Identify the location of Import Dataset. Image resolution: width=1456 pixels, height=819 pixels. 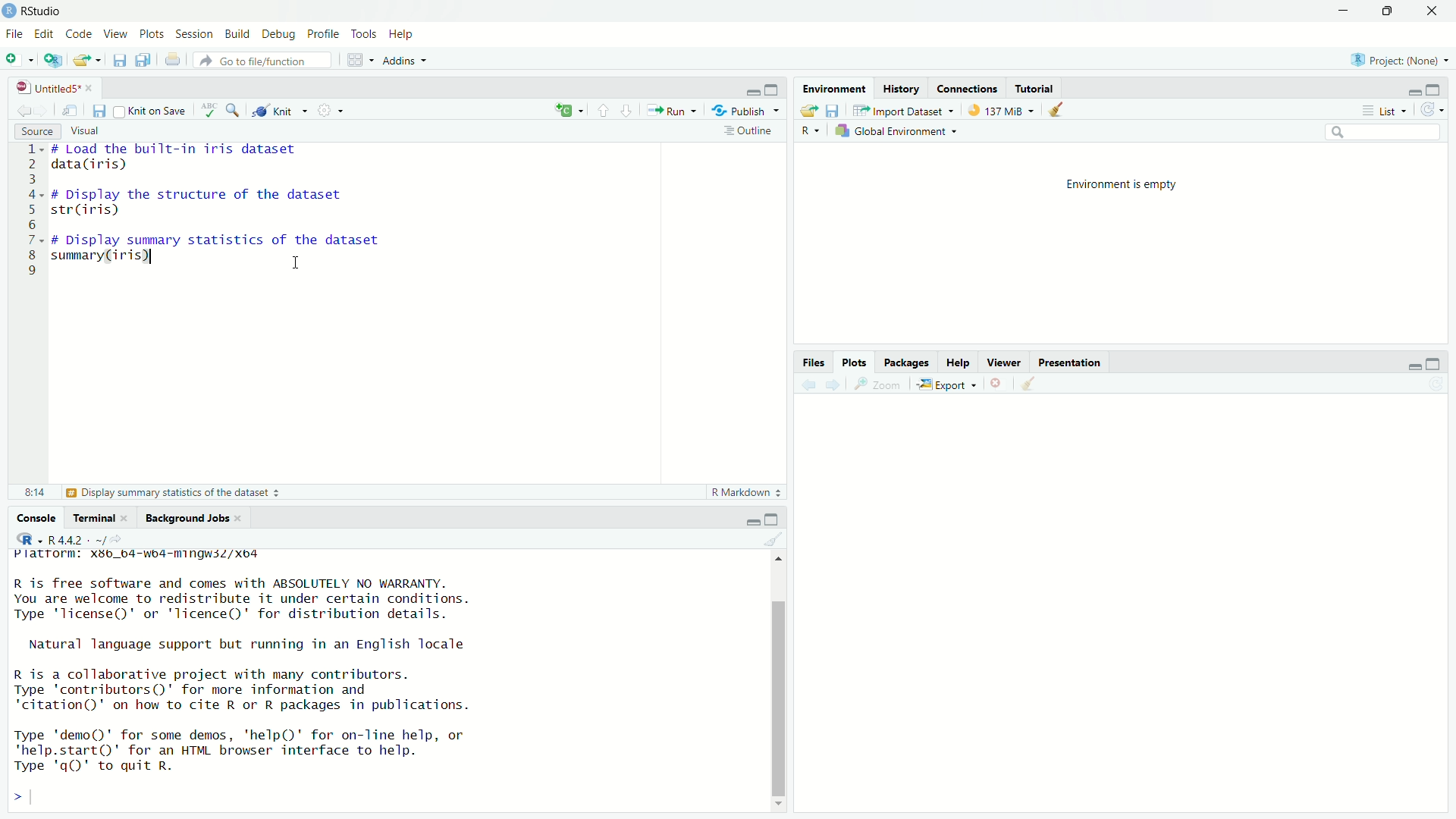
(903, 109).